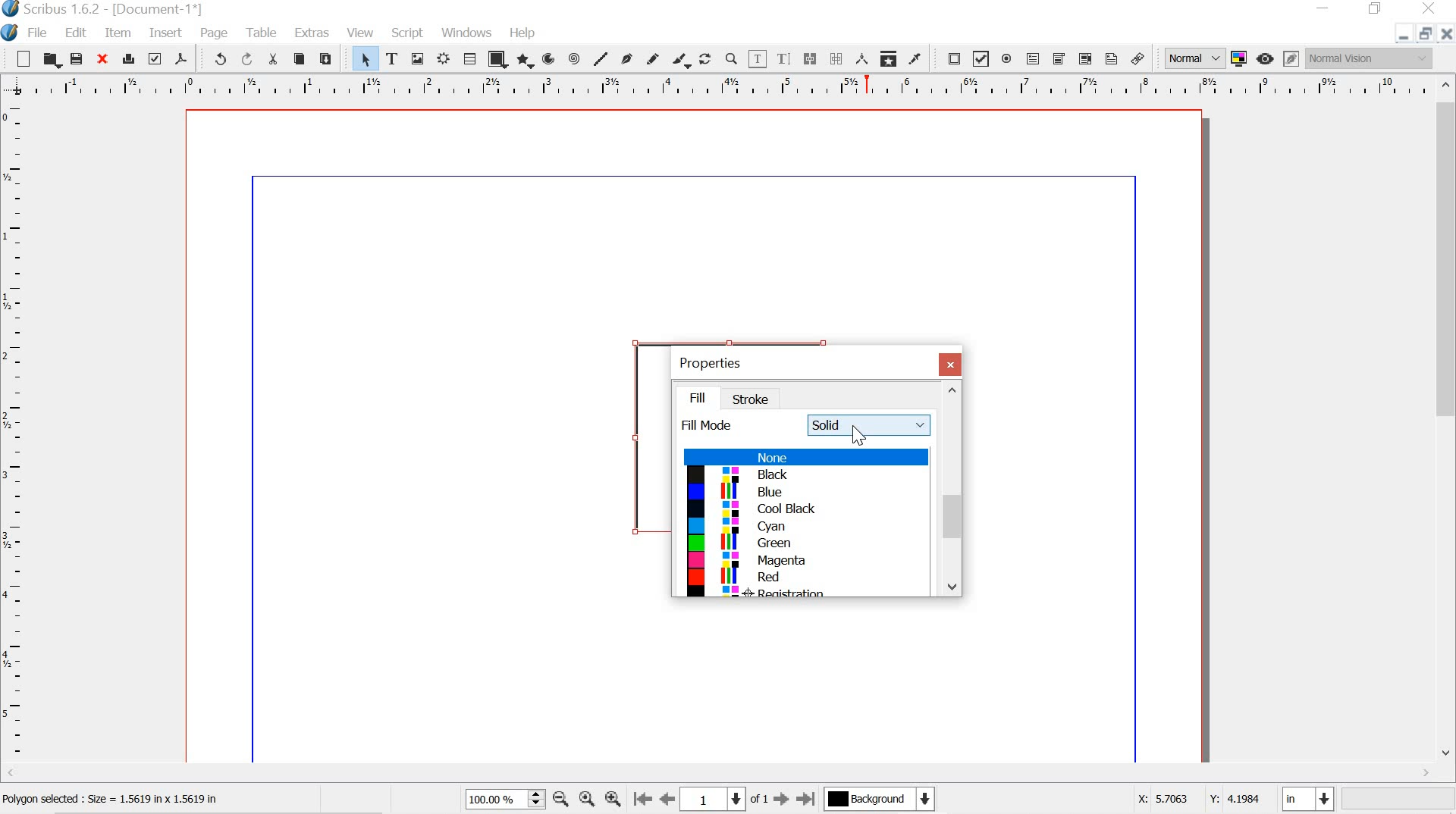 The width and height of the screenshot is (1456, 814). What do you see at coordinates (14, 433) in the screenshot?
I see `ruler` at bounding box center [14, 433].